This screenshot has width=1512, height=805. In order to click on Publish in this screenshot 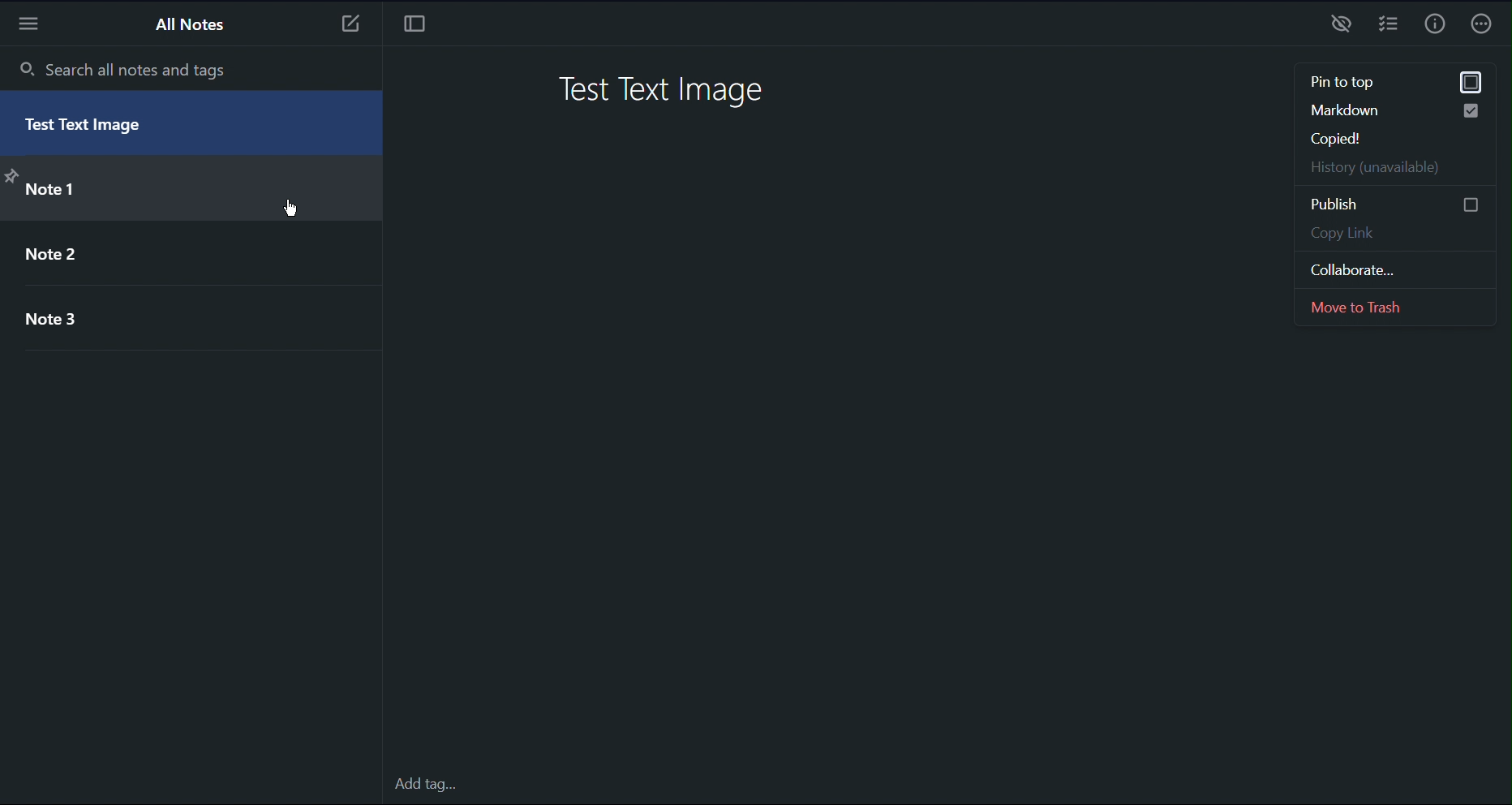, I will do `click(1390, 202)`.